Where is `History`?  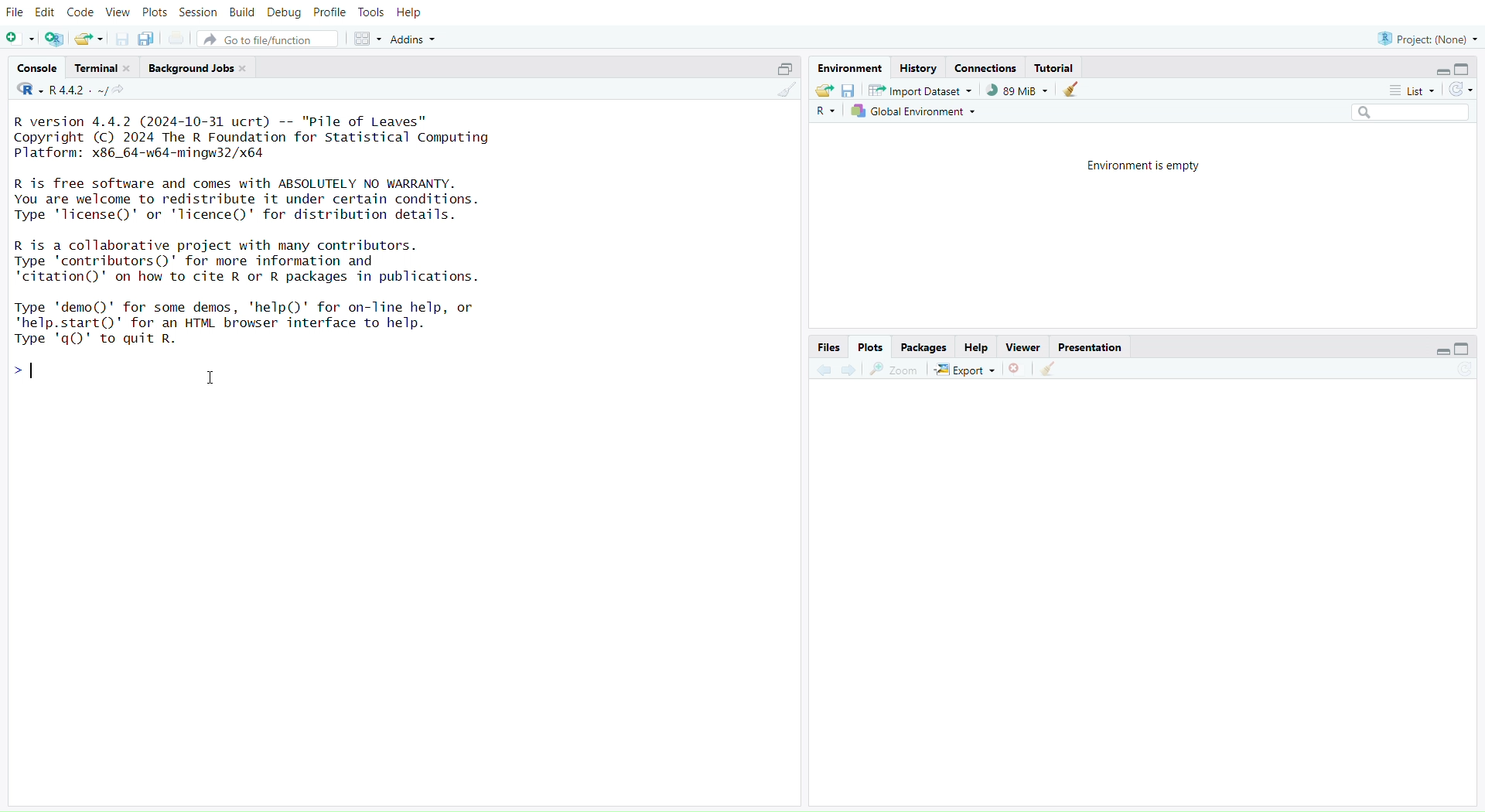
History is located at coordinates (920, 67).